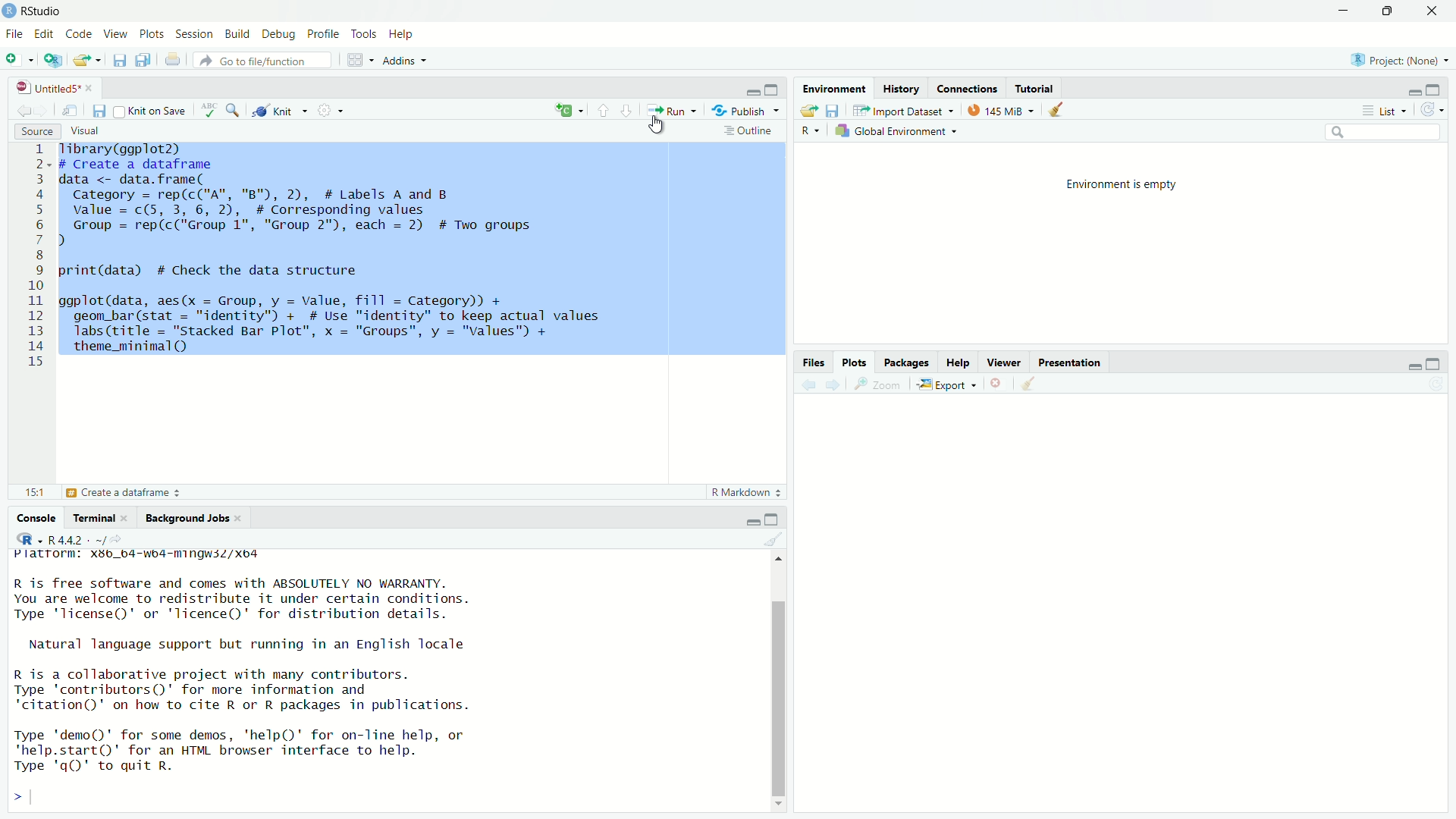 The image size is (1456, 819). I want to click on R, so click(29, 538).